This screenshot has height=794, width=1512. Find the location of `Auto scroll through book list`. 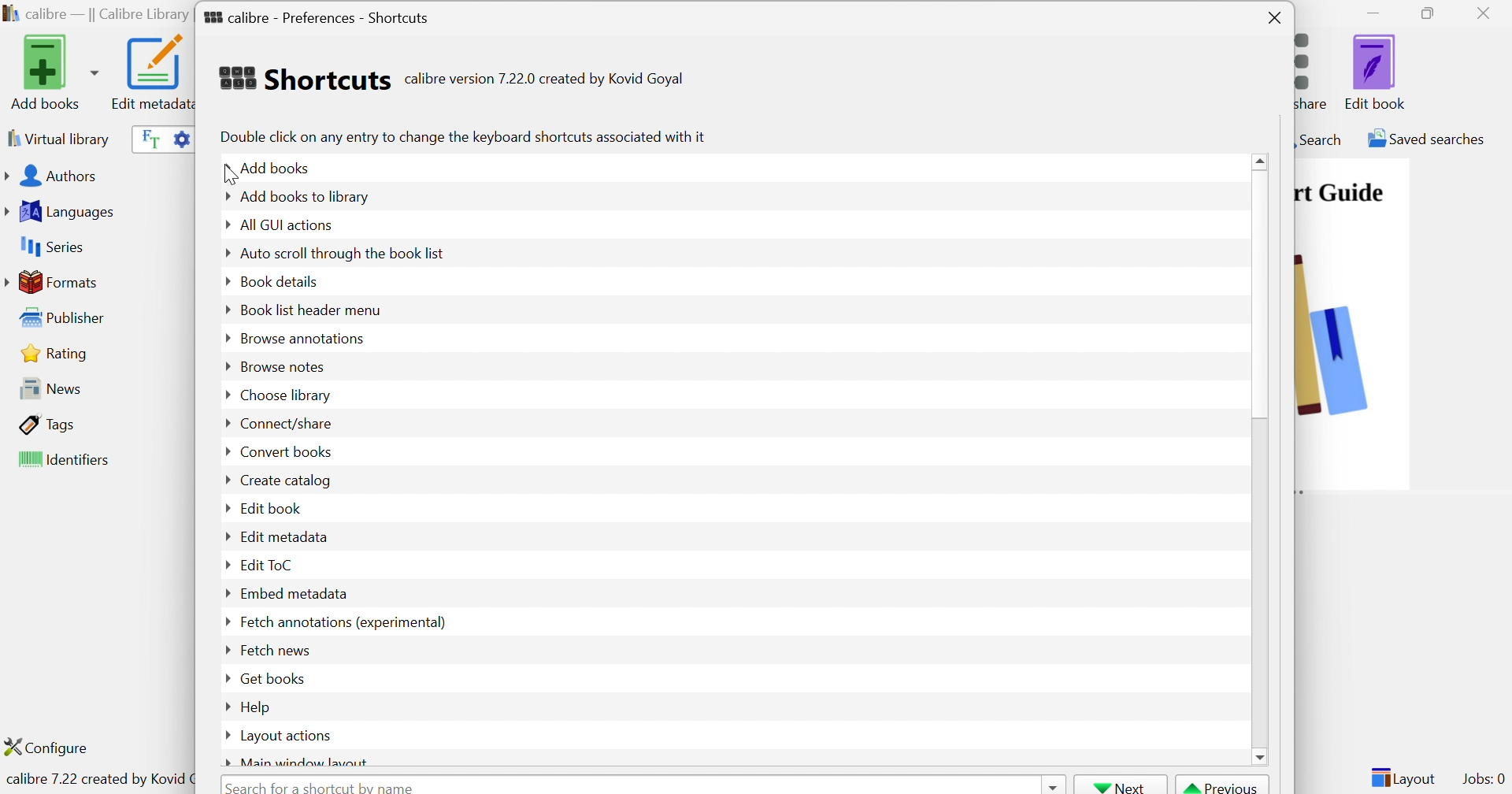

Auto scroll through book list is located at coordinates (344, 252).